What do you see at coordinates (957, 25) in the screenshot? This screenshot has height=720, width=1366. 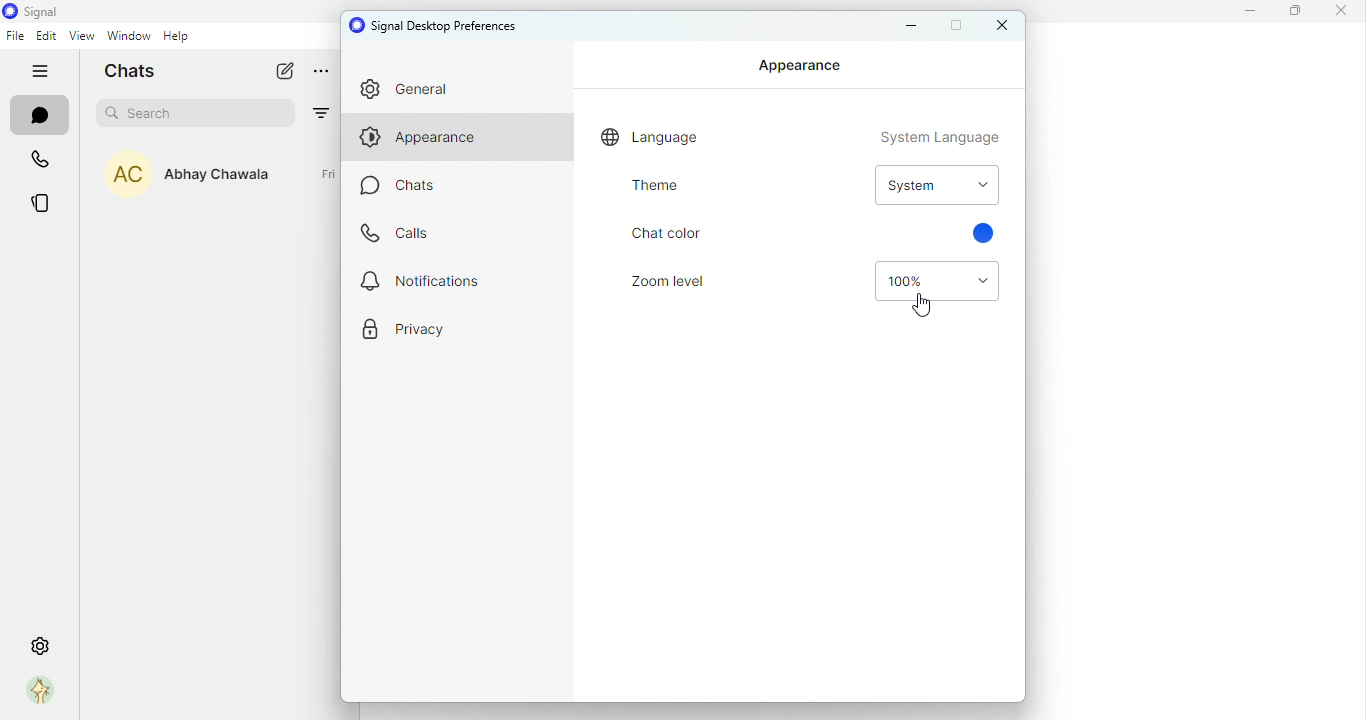 I see `maximize` at bounding box center [957, 25].